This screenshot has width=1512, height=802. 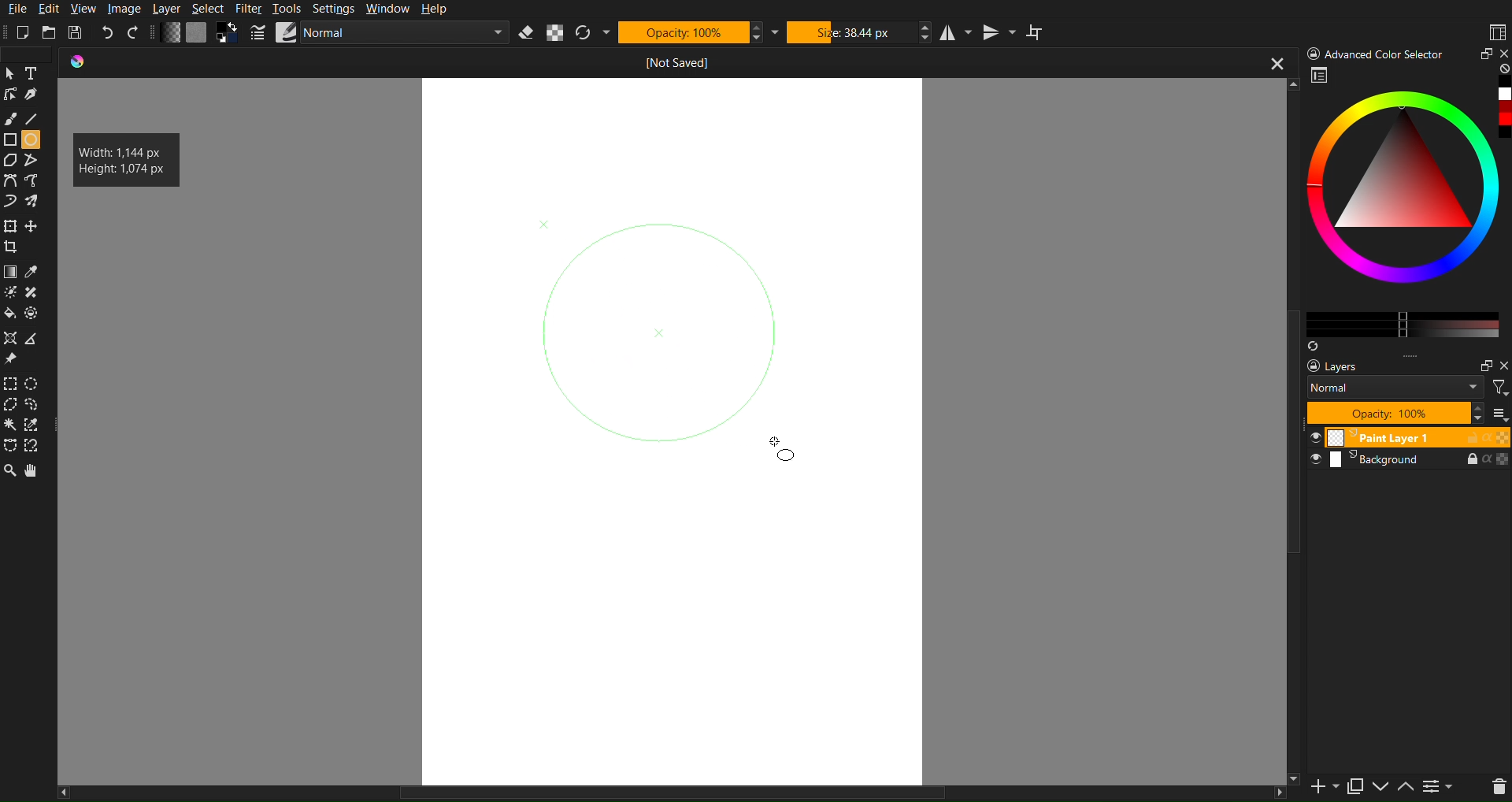 I want to click on Paint Layer 1, so click(x=1408, y=436).